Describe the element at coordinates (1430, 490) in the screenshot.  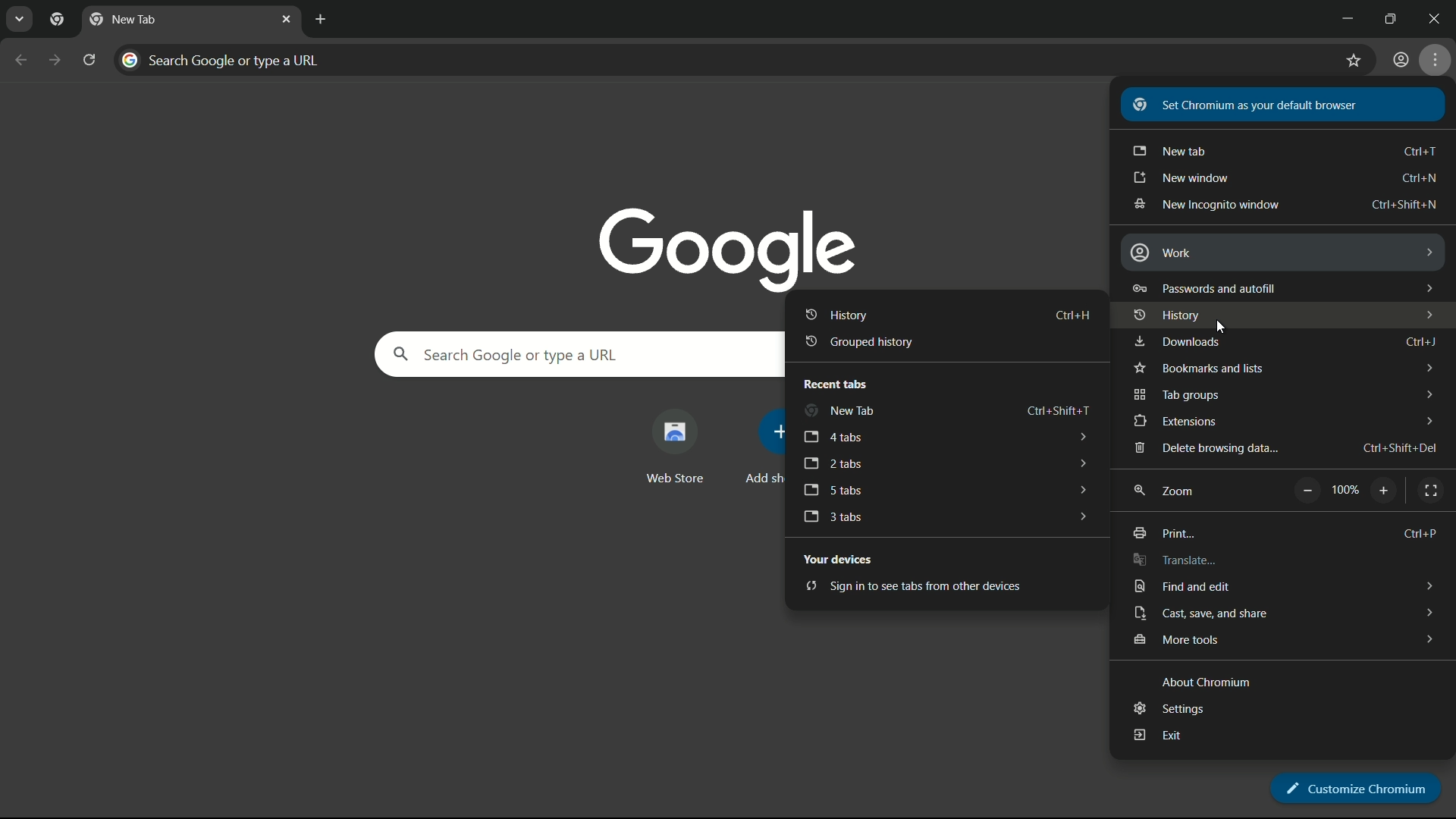
I see `full screen` at that location.